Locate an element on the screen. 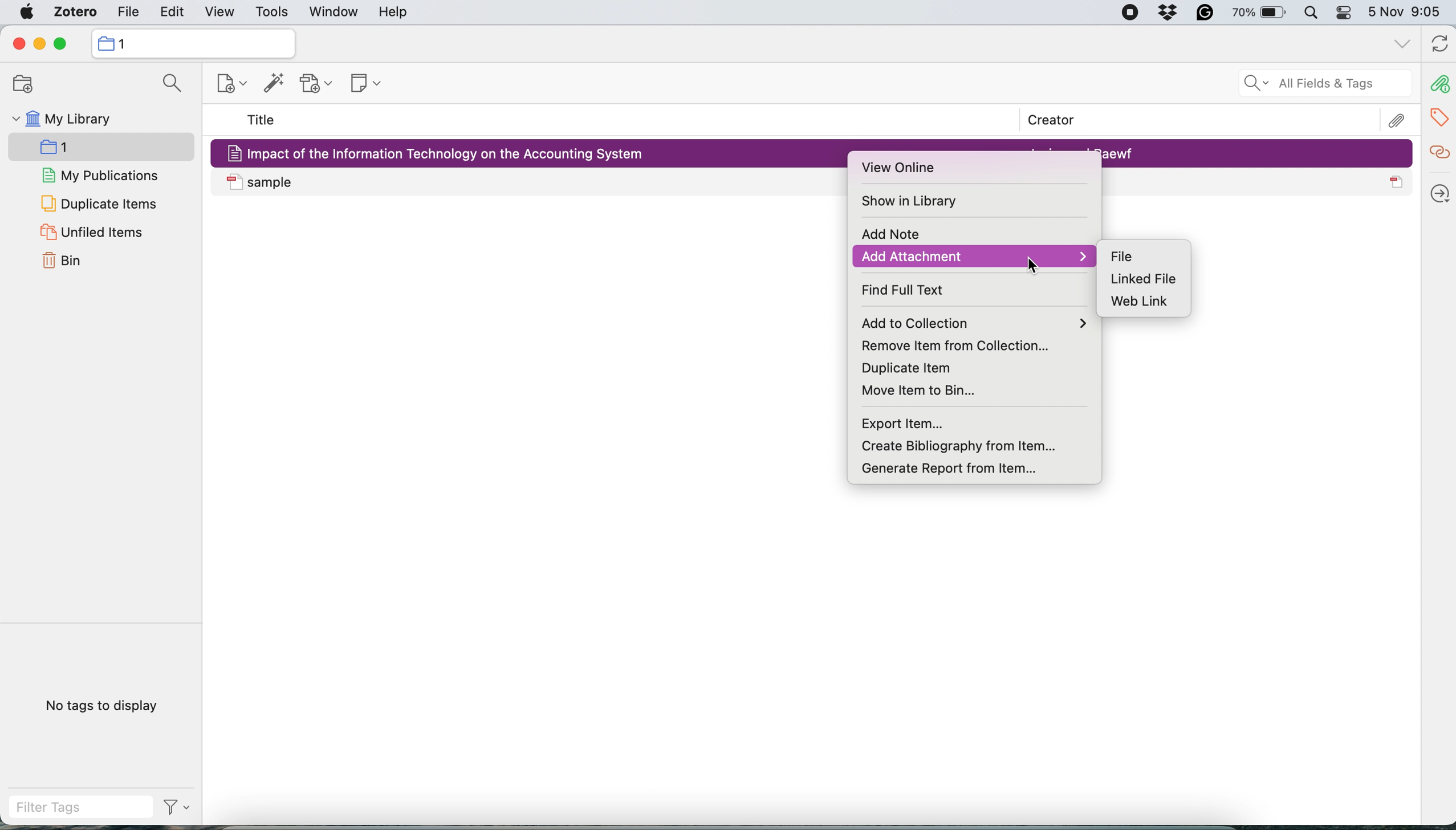  my library is located at coordinates (60, 121).